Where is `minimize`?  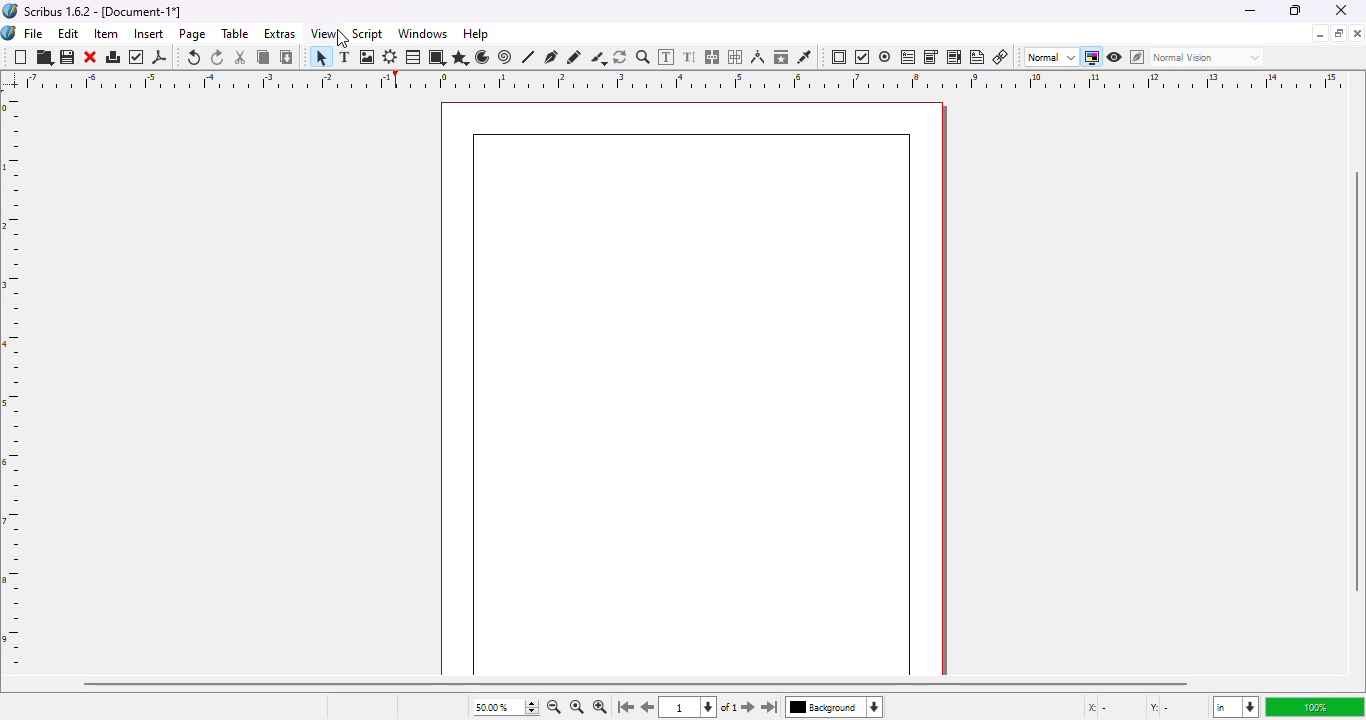 minimize is located at coordinates (1319, 34).